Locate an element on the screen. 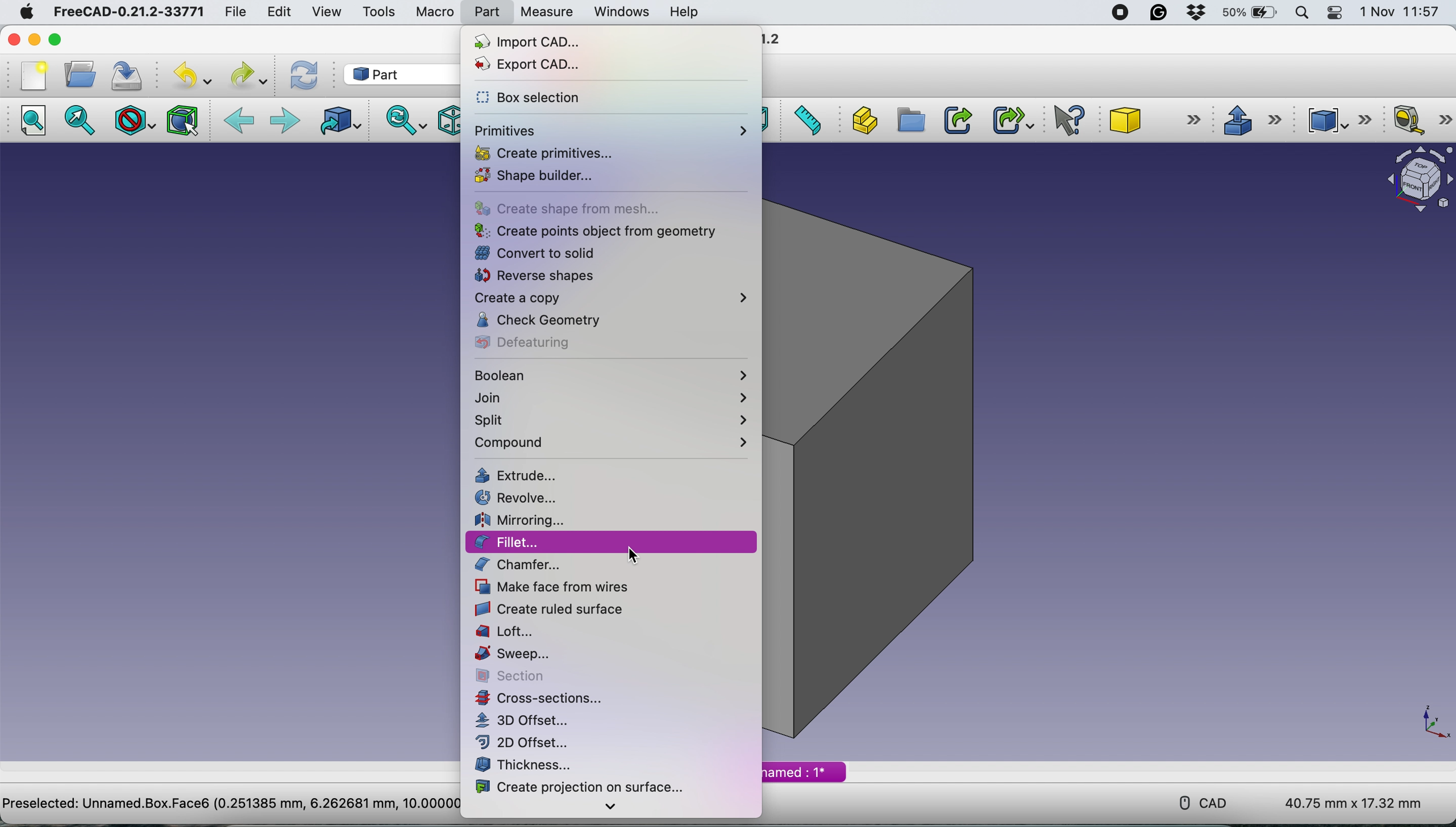  join is located at coordinates (617, 398).